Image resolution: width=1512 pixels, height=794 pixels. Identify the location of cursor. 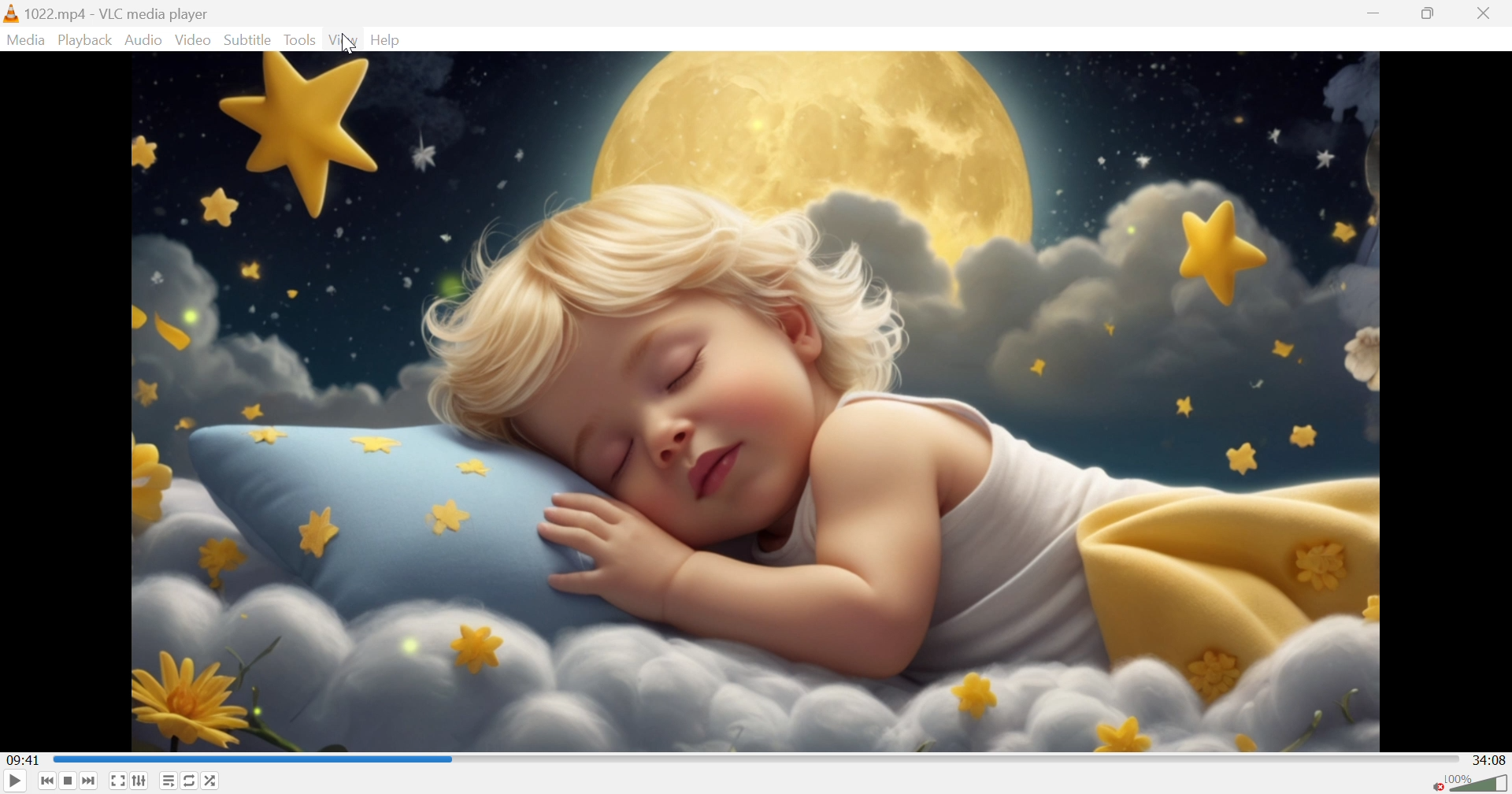
(347, 46).